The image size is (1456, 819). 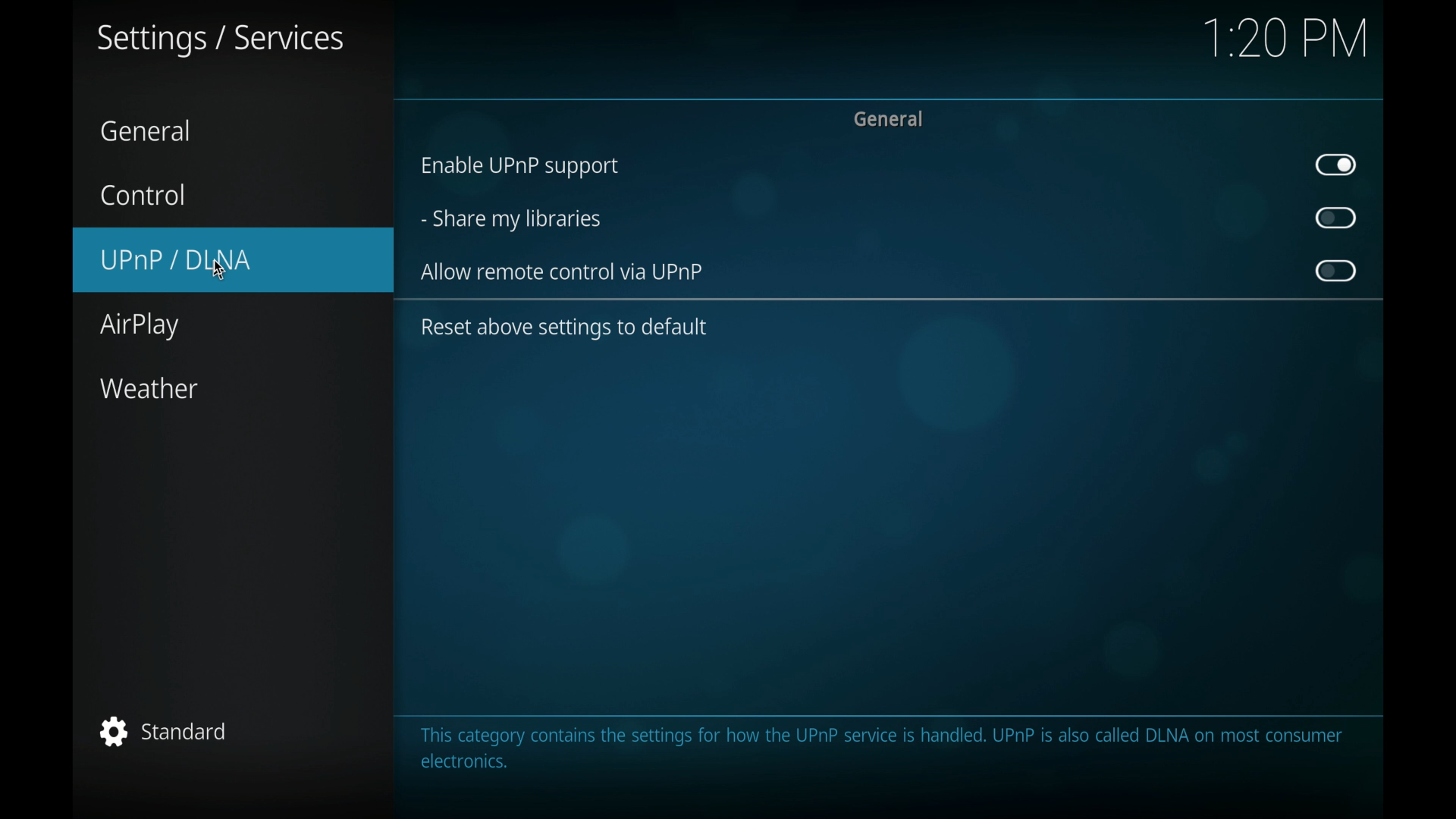 What do you see at coordinates (1337, 218) in the screenshot?
I see `toggle button` at bounding box center [1337, 218].